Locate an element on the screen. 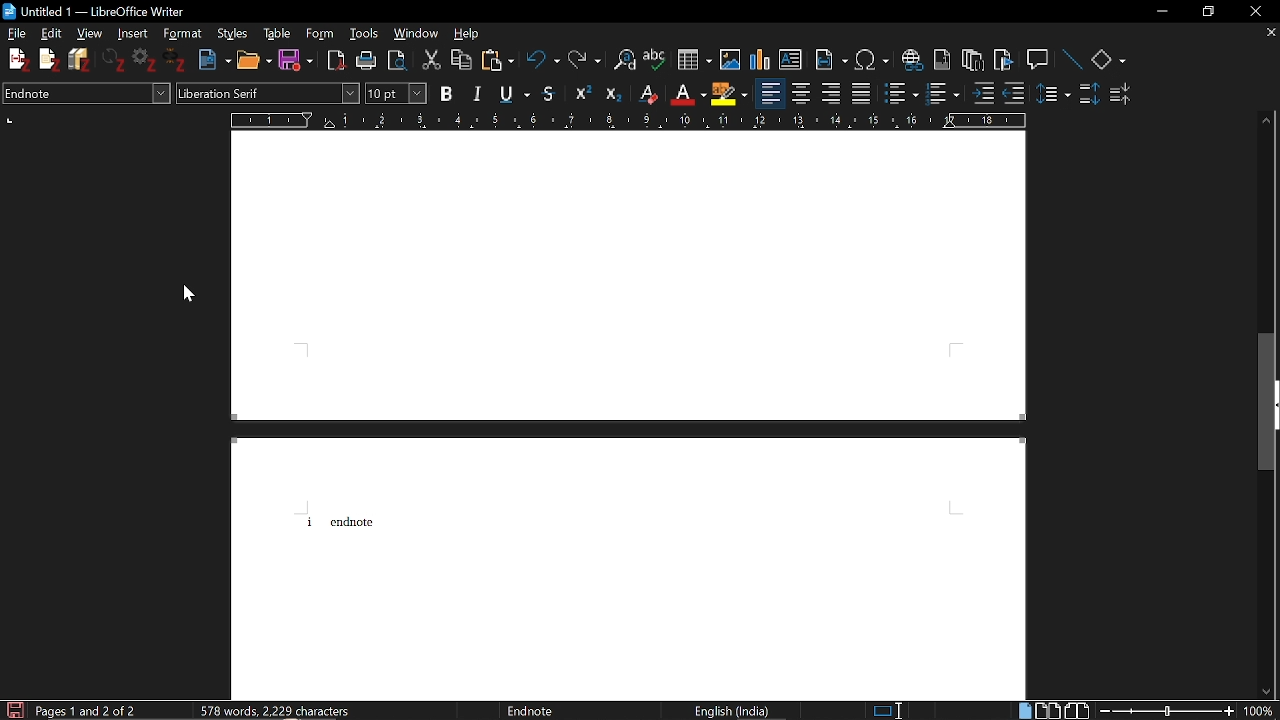 The image size is (1280, 720). Set document preference is located at coordinates (142, 60).